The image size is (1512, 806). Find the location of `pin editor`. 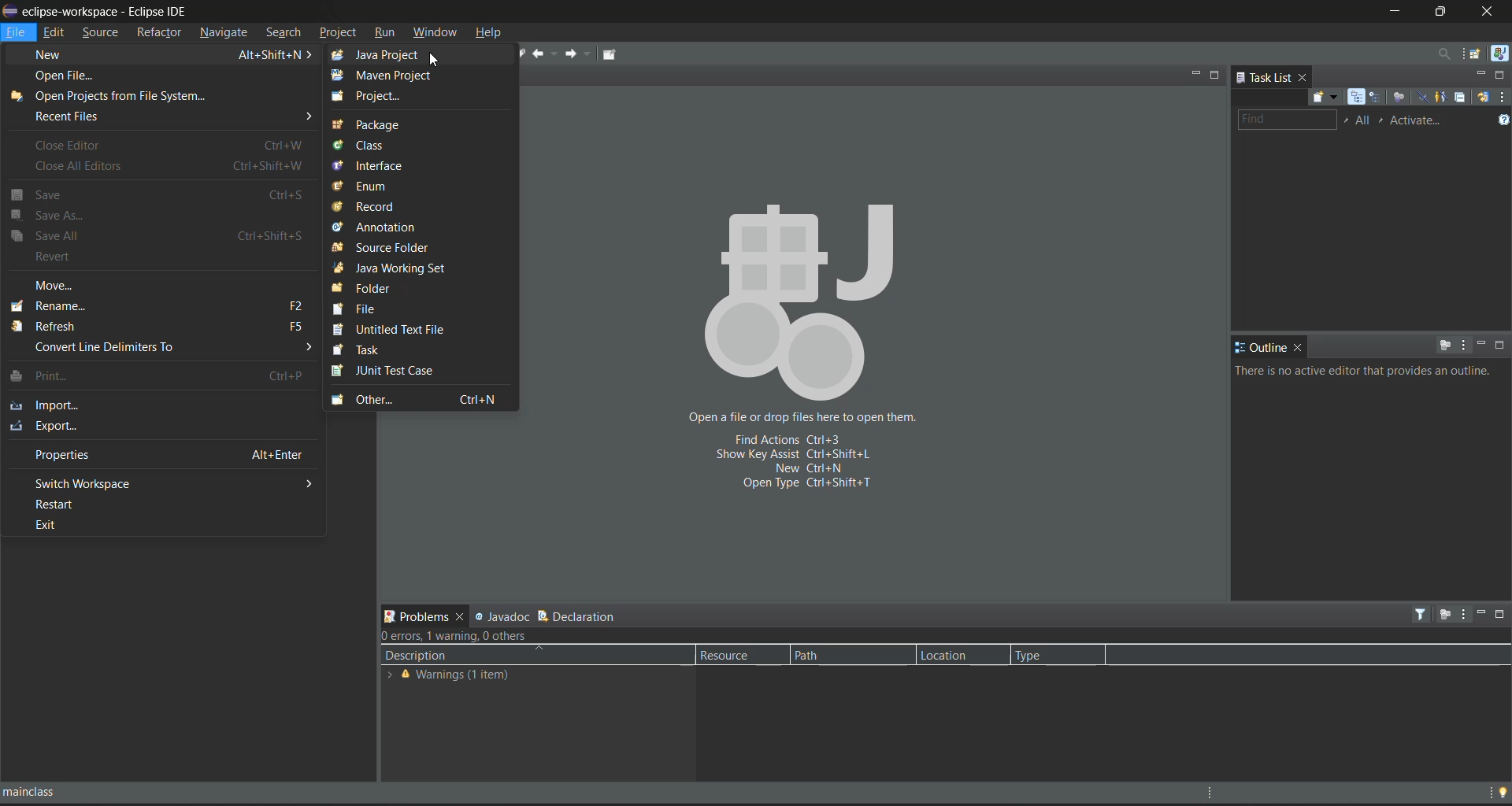

pin editor is located at coordinates (609, 55).